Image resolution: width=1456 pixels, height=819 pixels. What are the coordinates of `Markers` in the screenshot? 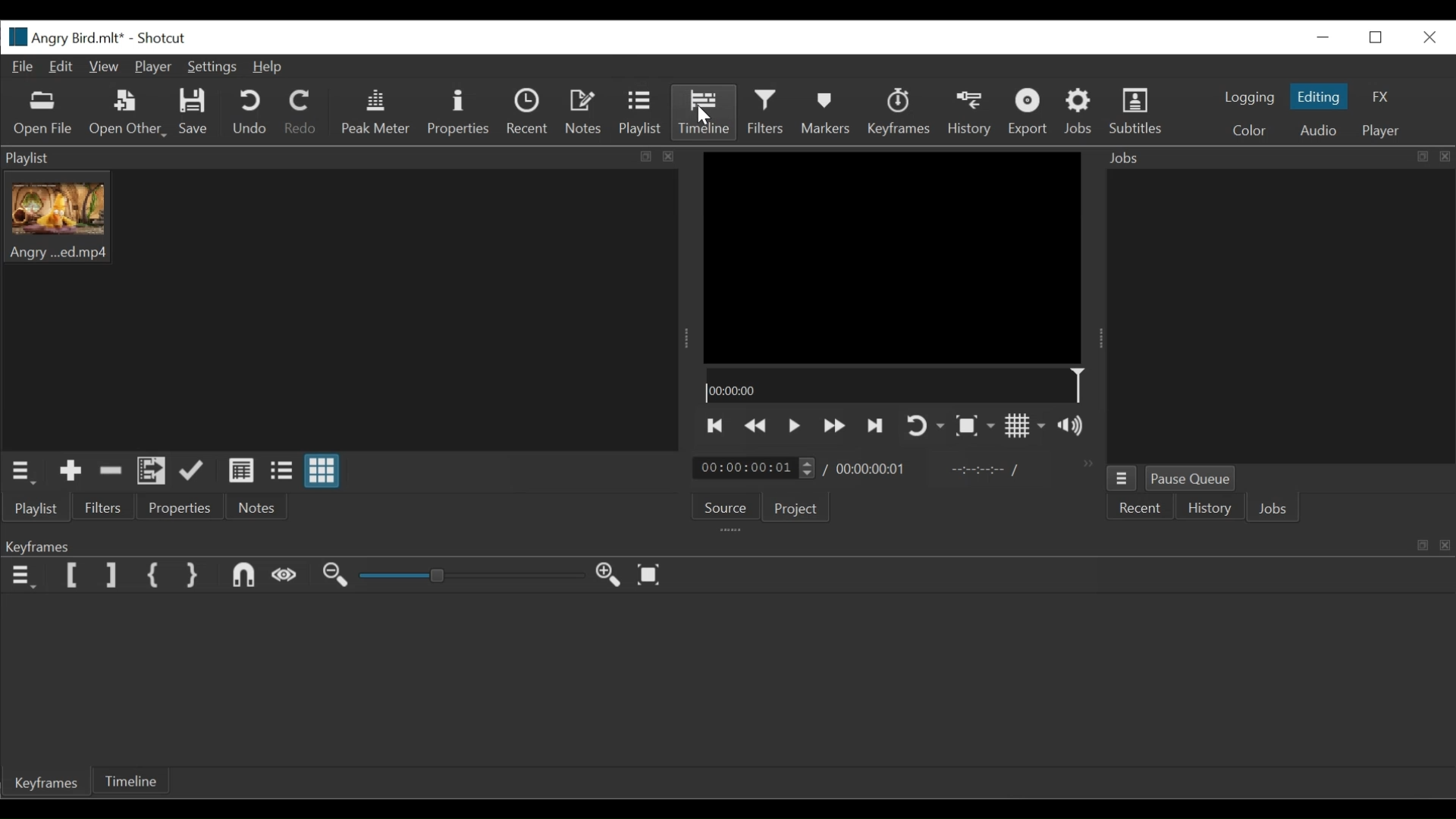 It's located at (825, 113).